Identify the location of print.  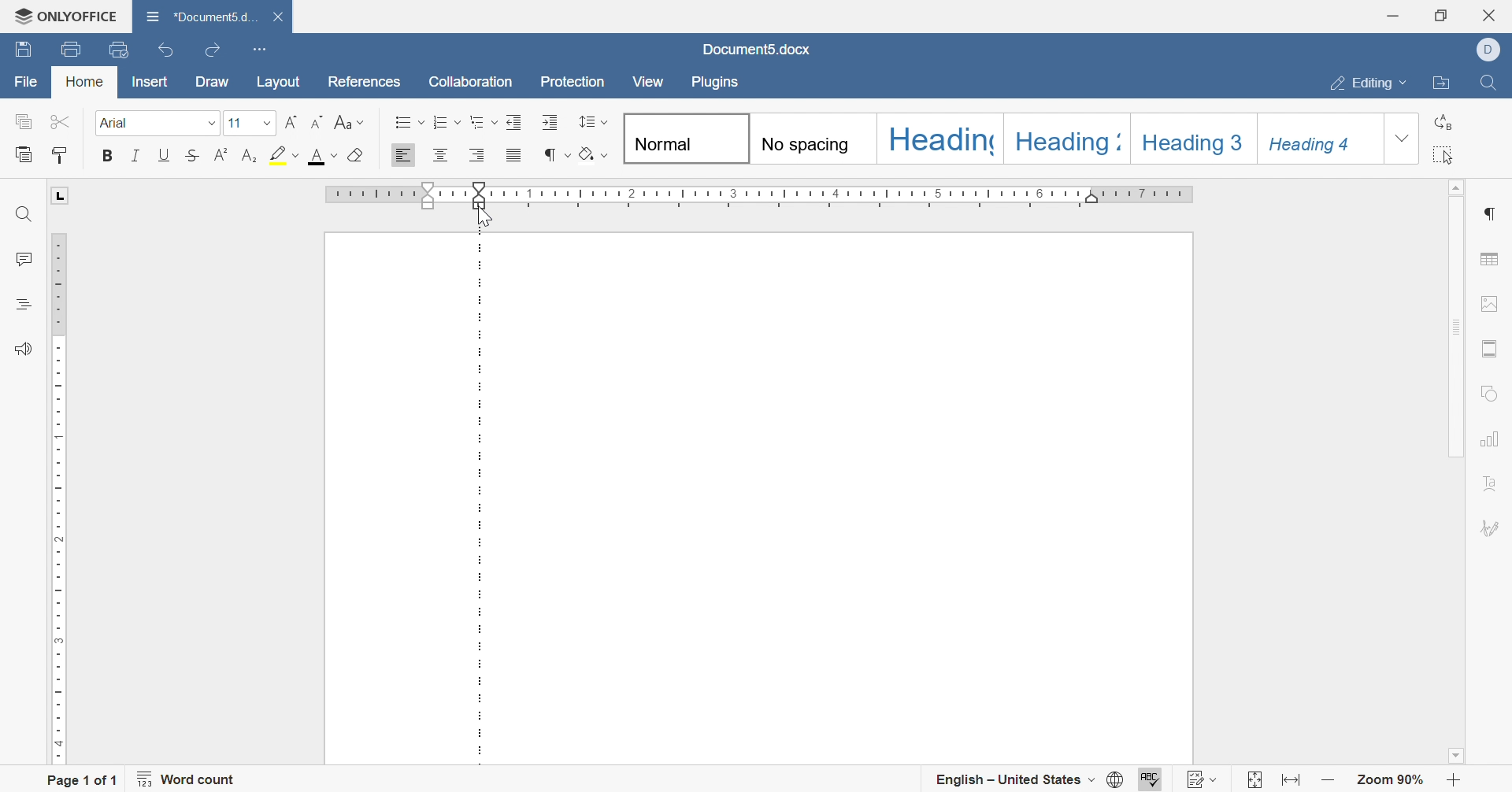
(74, 49).